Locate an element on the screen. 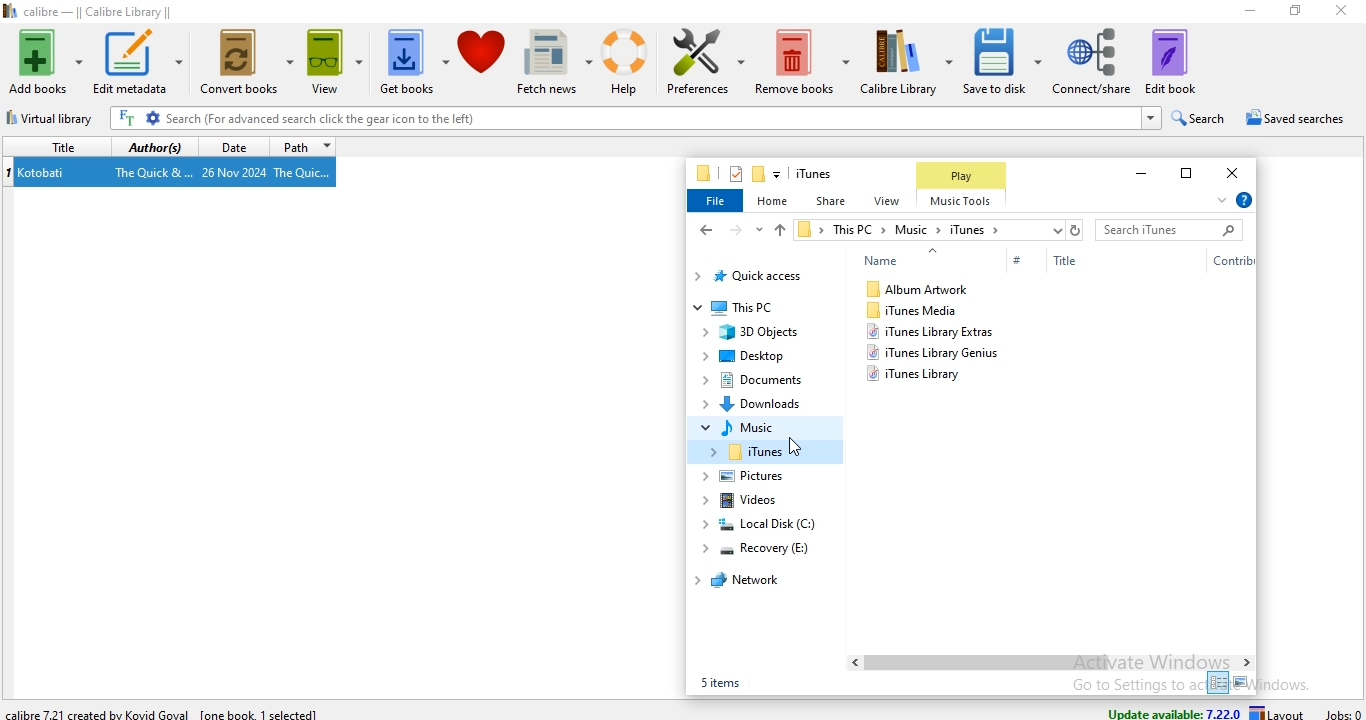 This screenshot has height=720, width=1366. edit book is located at coordinates (1171, 61).